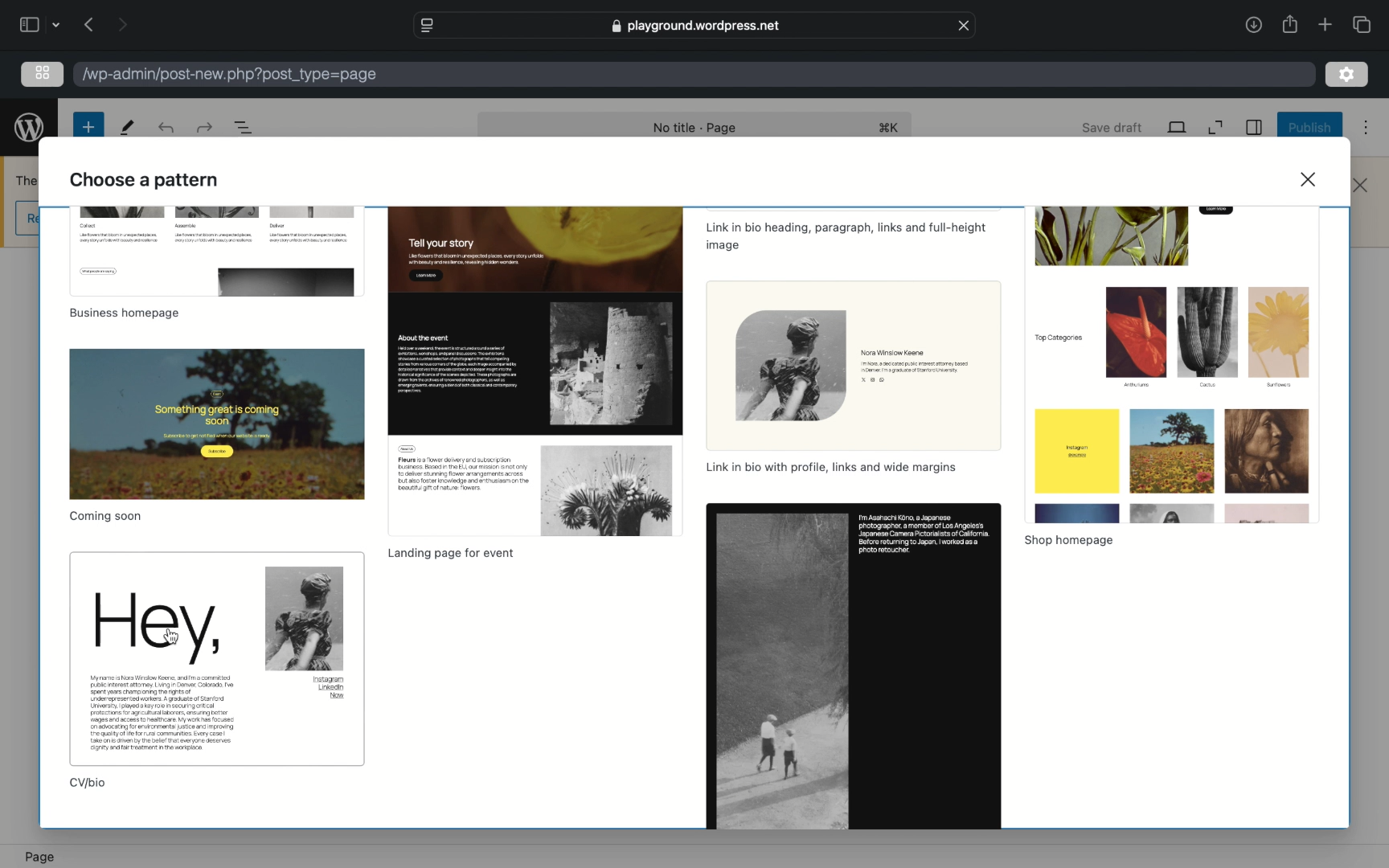 Image resolution: width=1389 pixels, height=868 pixels. Describe the element at coordinates (40, 857) in the screenshot. I see `page` at that location.